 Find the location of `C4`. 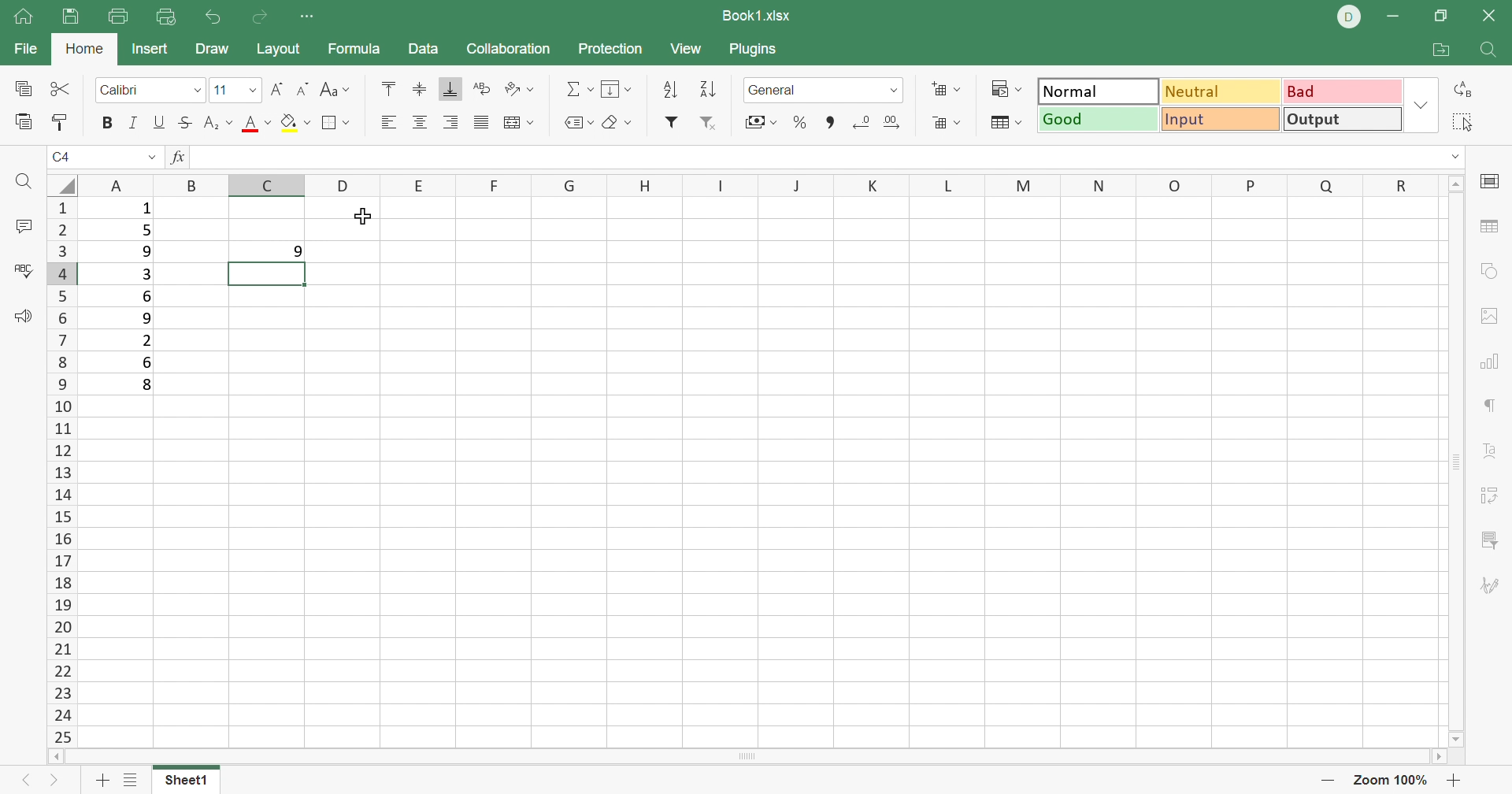

C4 is located at coordinates (64, 157).